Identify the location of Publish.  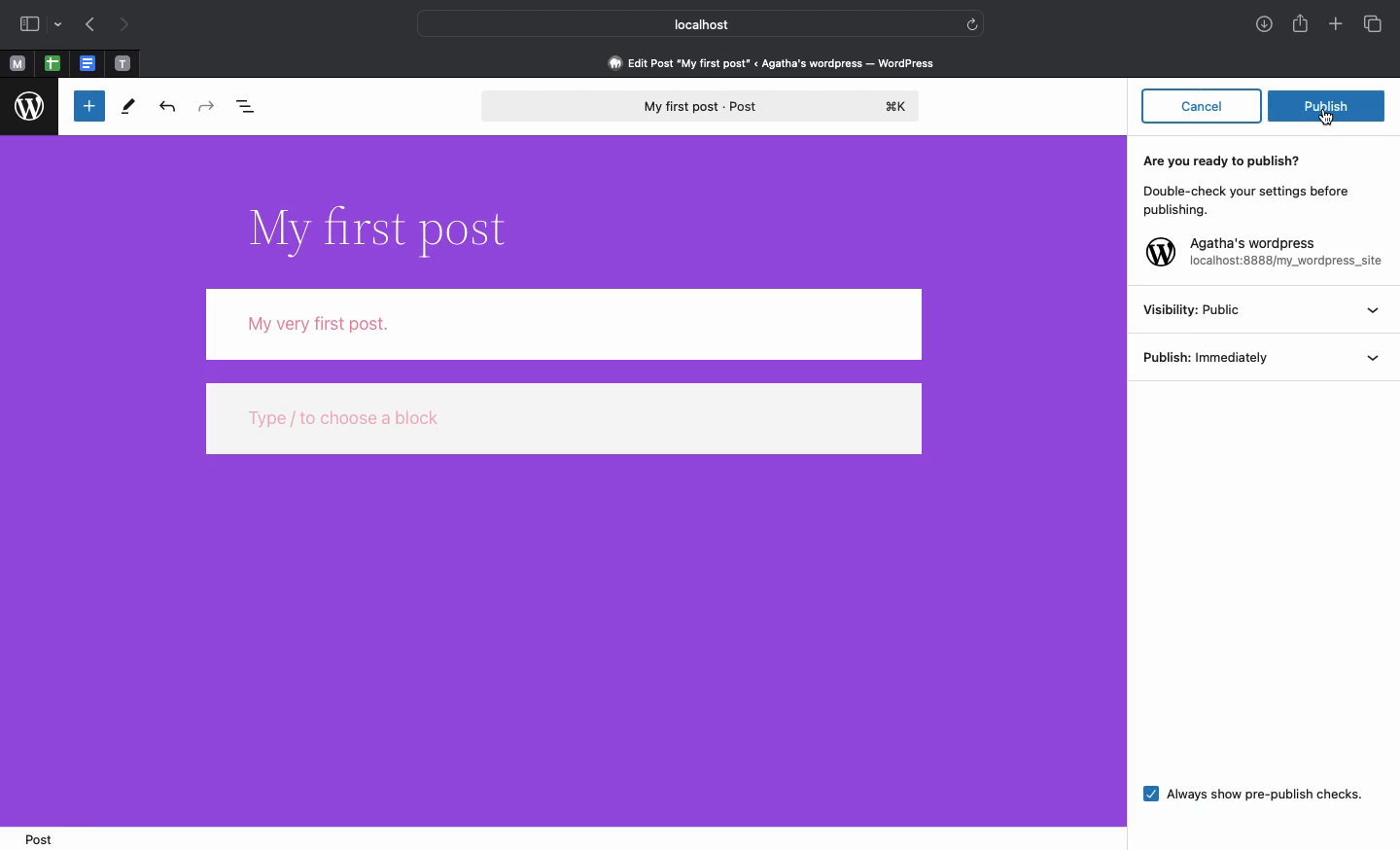
(1327, 107).